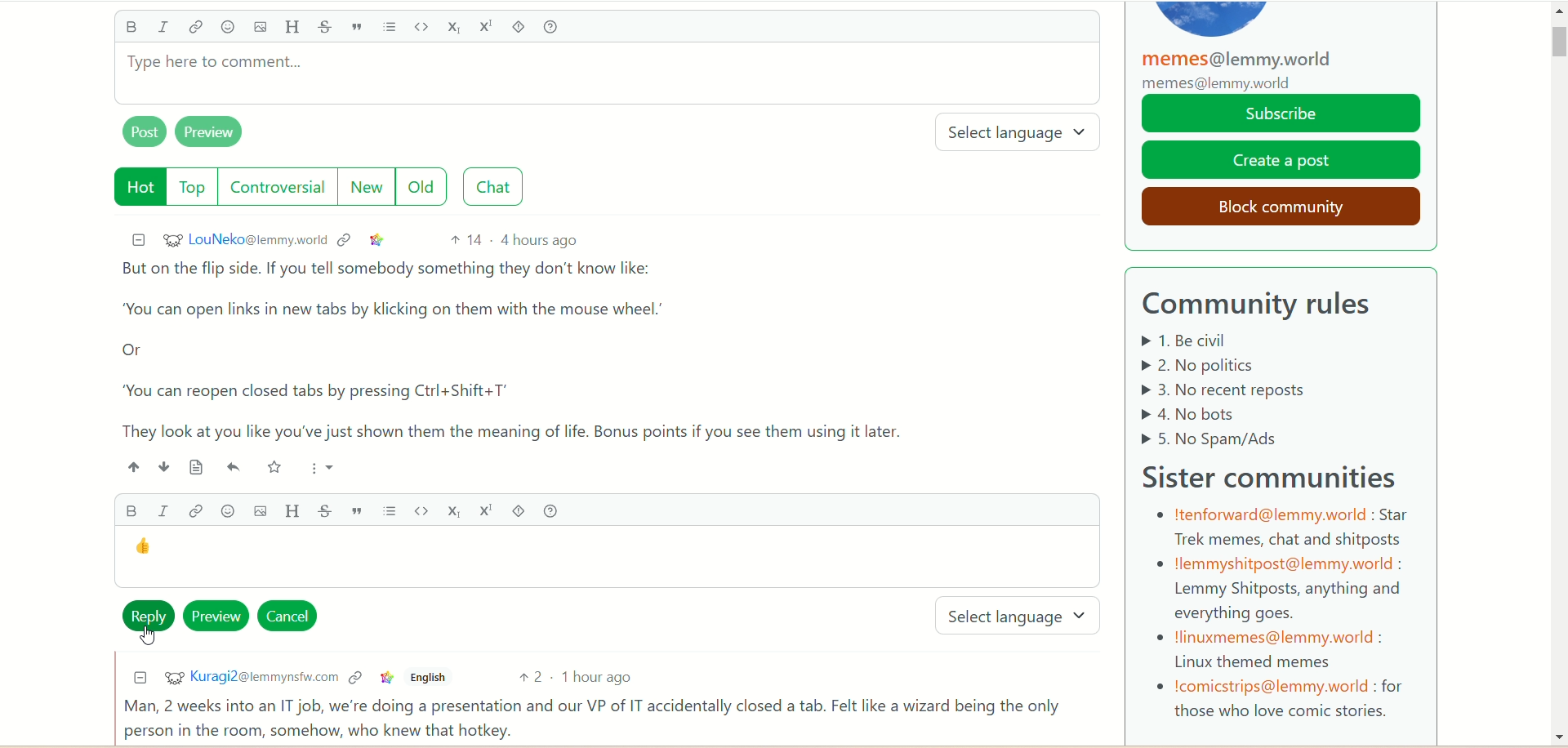  Describe the element at coordinates (1282, 160) in the screenshot. I see `create a post` at that location.